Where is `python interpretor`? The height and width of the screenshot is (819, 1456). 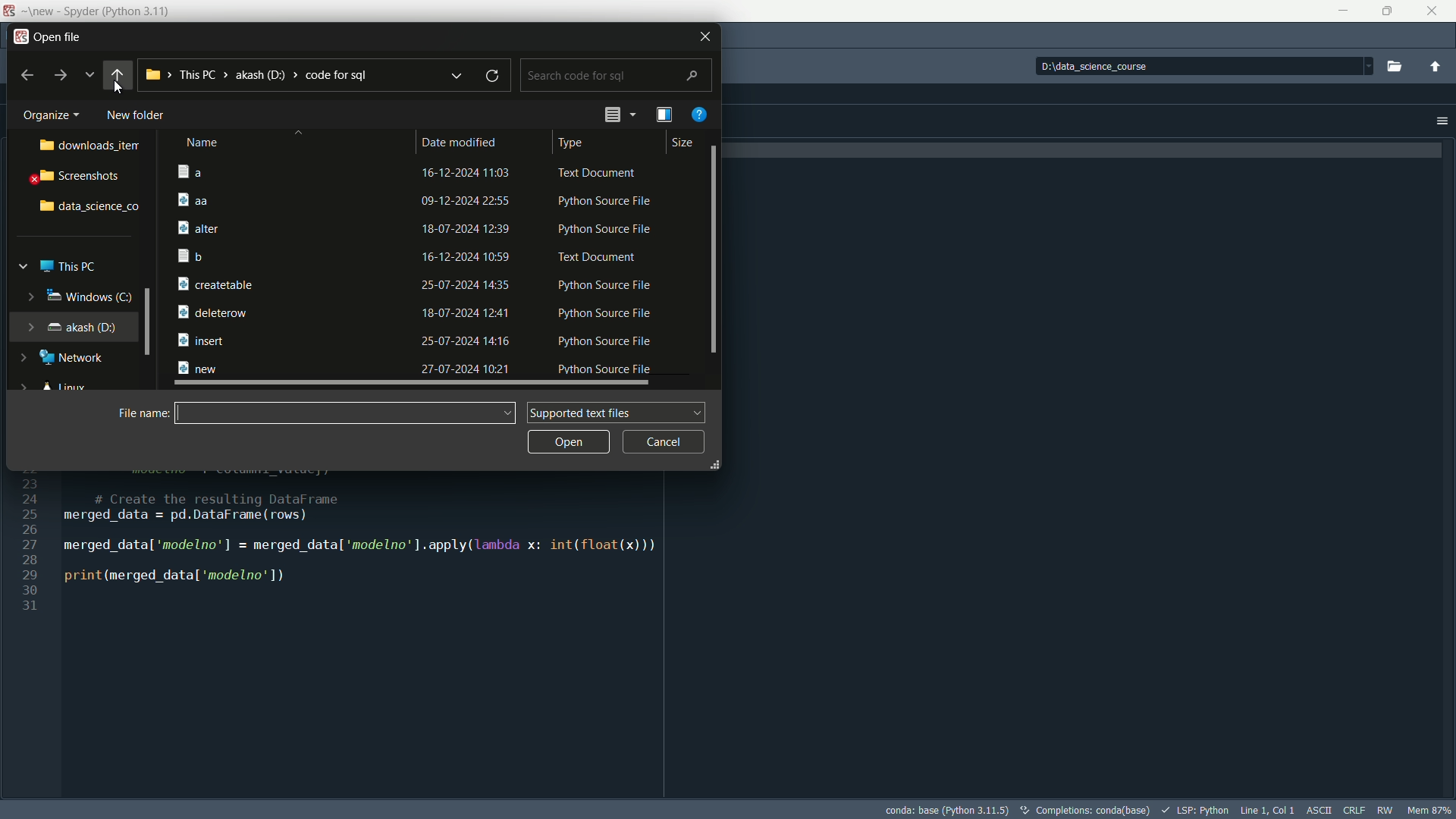
python interpretor is located at coordinates (945, 810).